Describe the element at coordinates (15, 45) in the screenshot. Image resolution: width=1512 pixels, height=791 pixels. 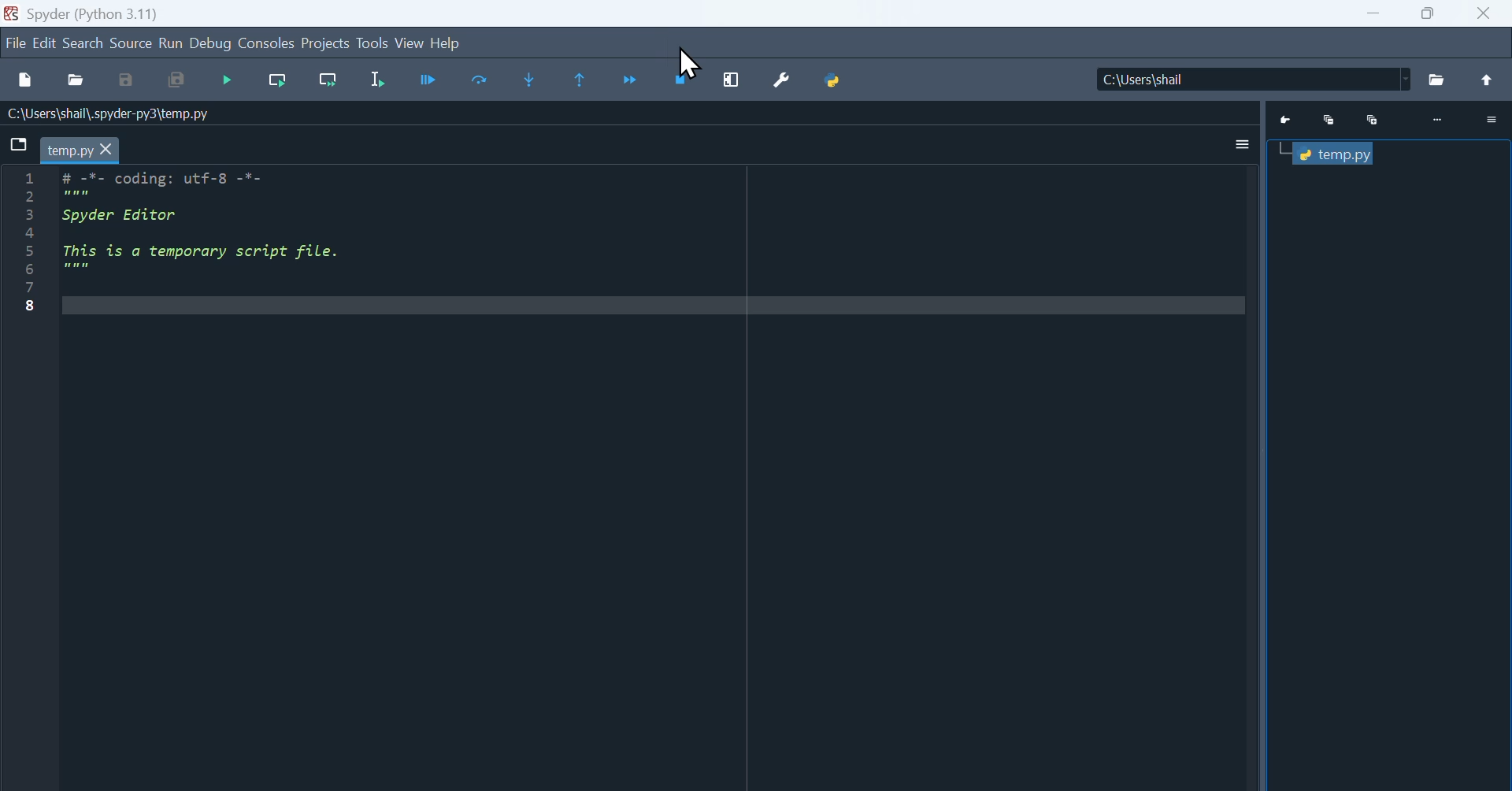
I see `file` at that location.